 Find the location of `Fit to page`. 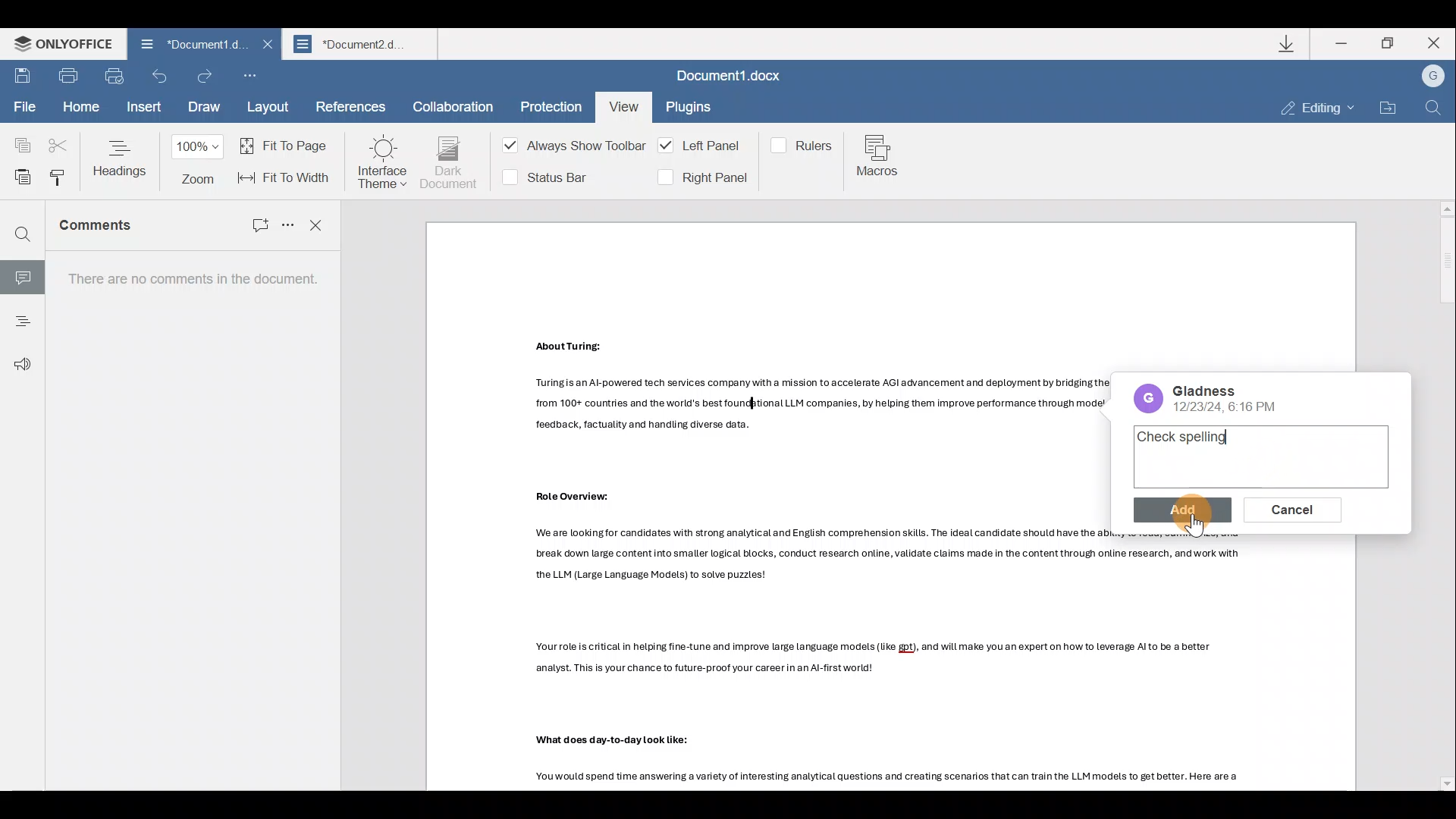

Fit to page is located at coordinates (287, 145).